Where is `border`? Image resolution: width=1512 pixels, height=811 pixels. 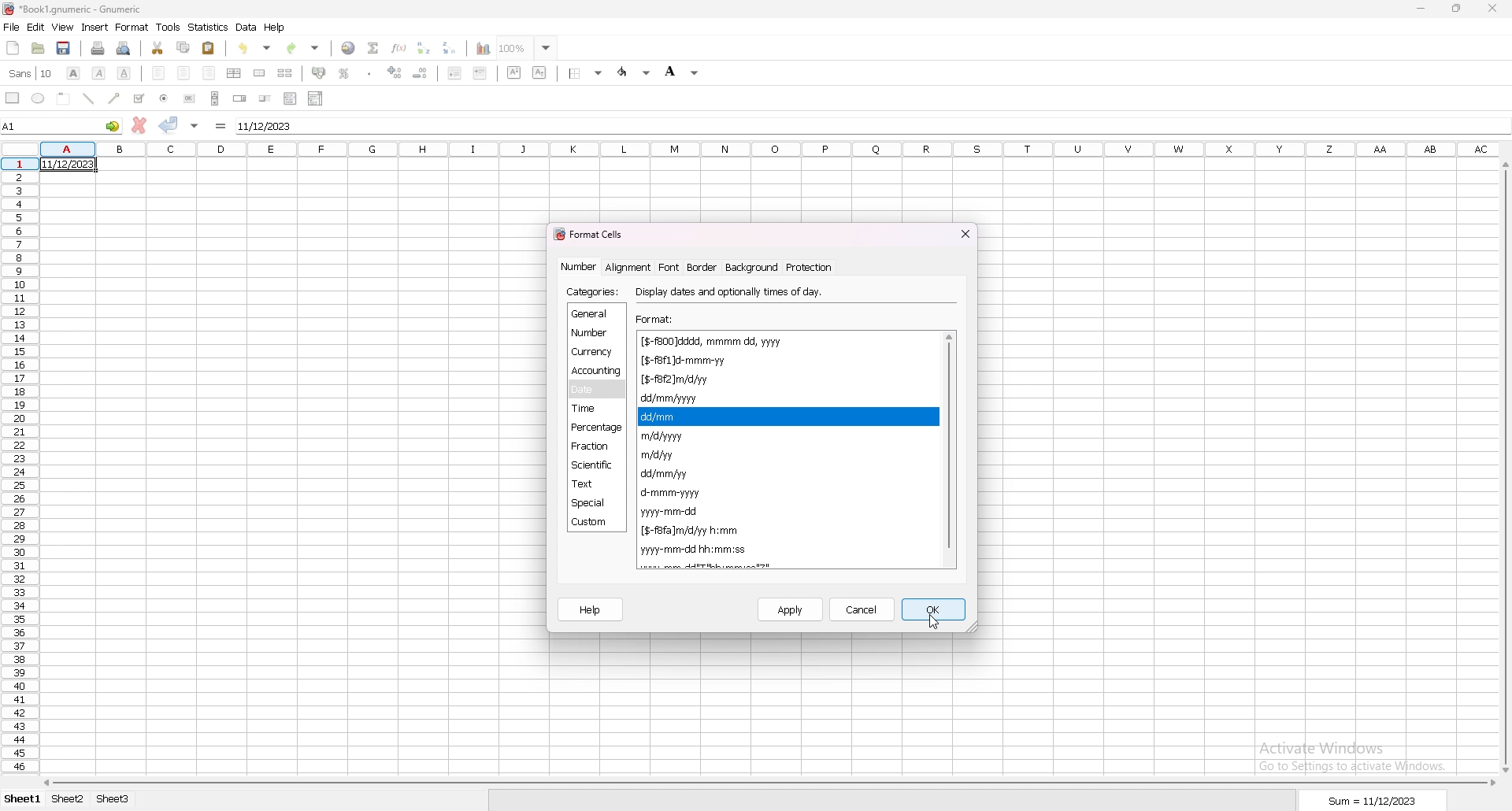 border is located at coordinates (586, 74).